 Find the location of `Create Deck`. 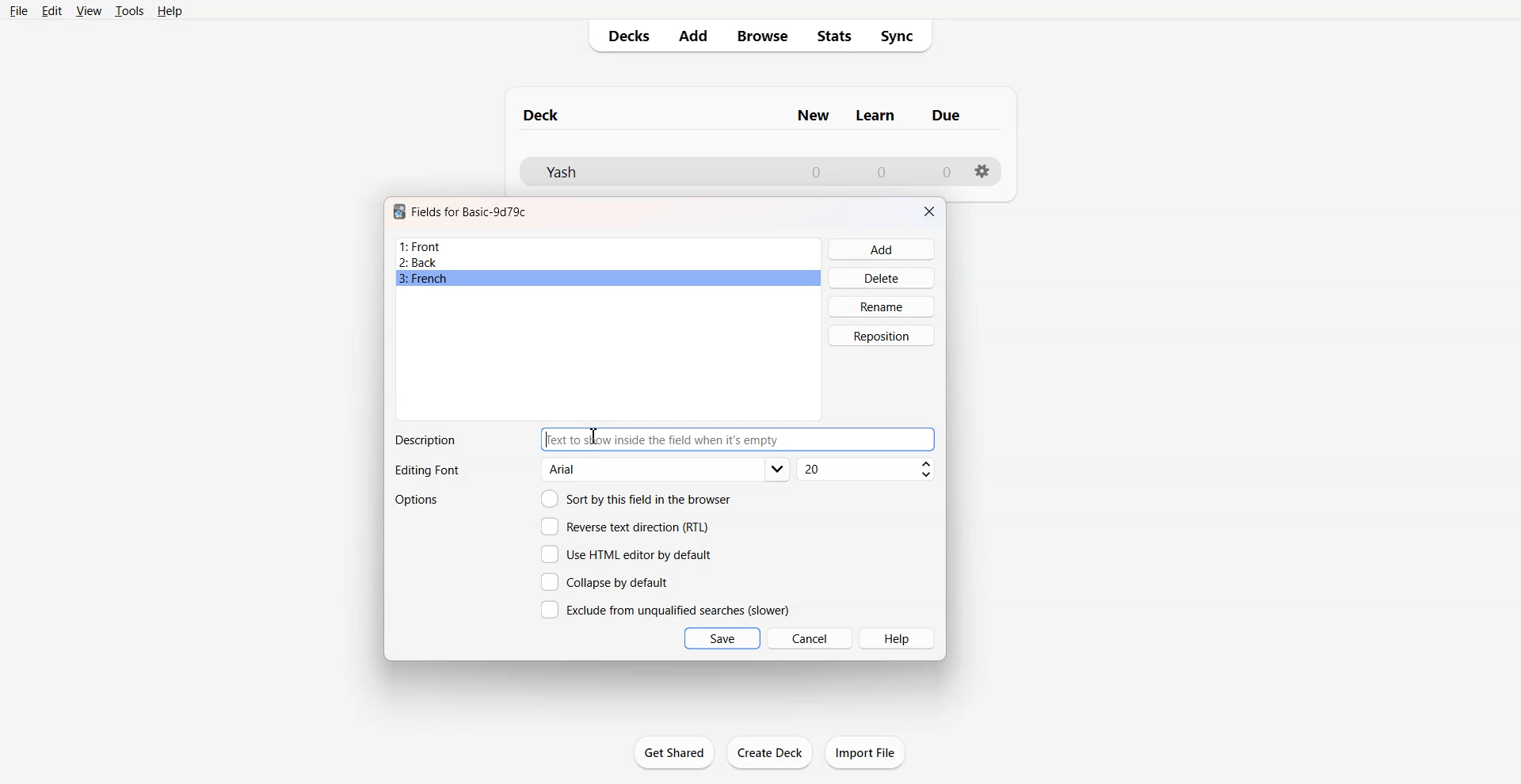

Create Deck is located at coordinates (771, 752).